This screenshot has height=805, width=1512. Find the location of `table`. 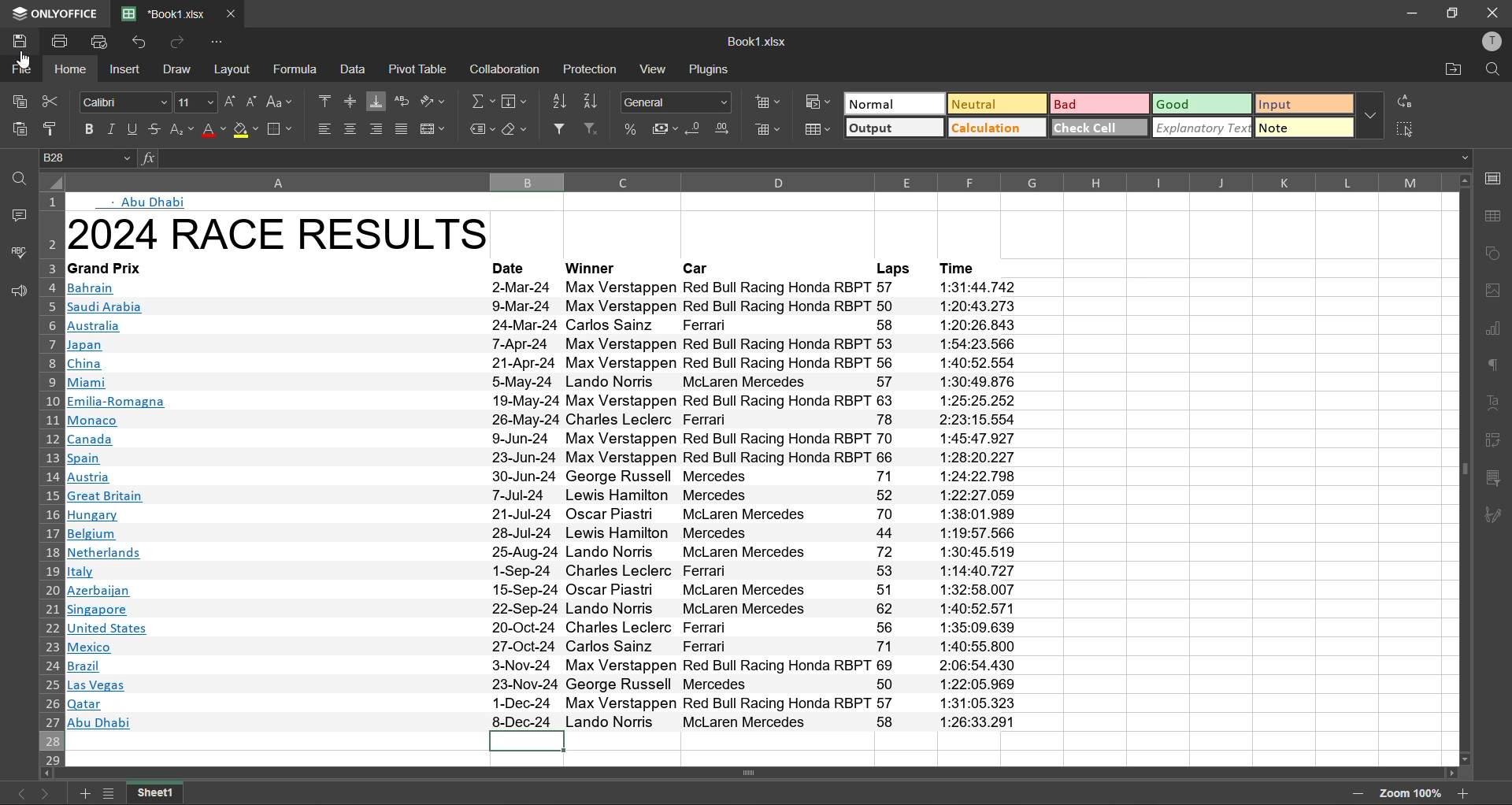

table is located at coordinates (1497, 221).